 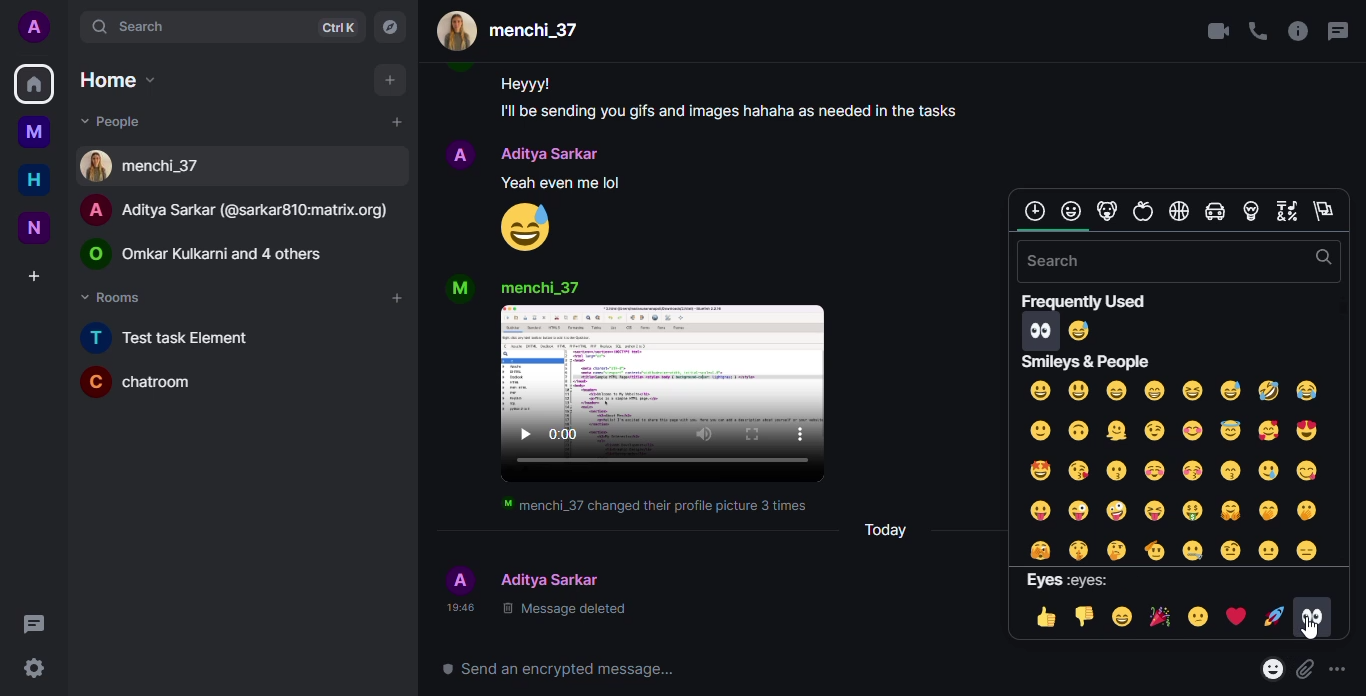 What do you see at coordinates (1080, 617) in the screenshot?
I see `thumbs down` at bounding box center [1080, 617].